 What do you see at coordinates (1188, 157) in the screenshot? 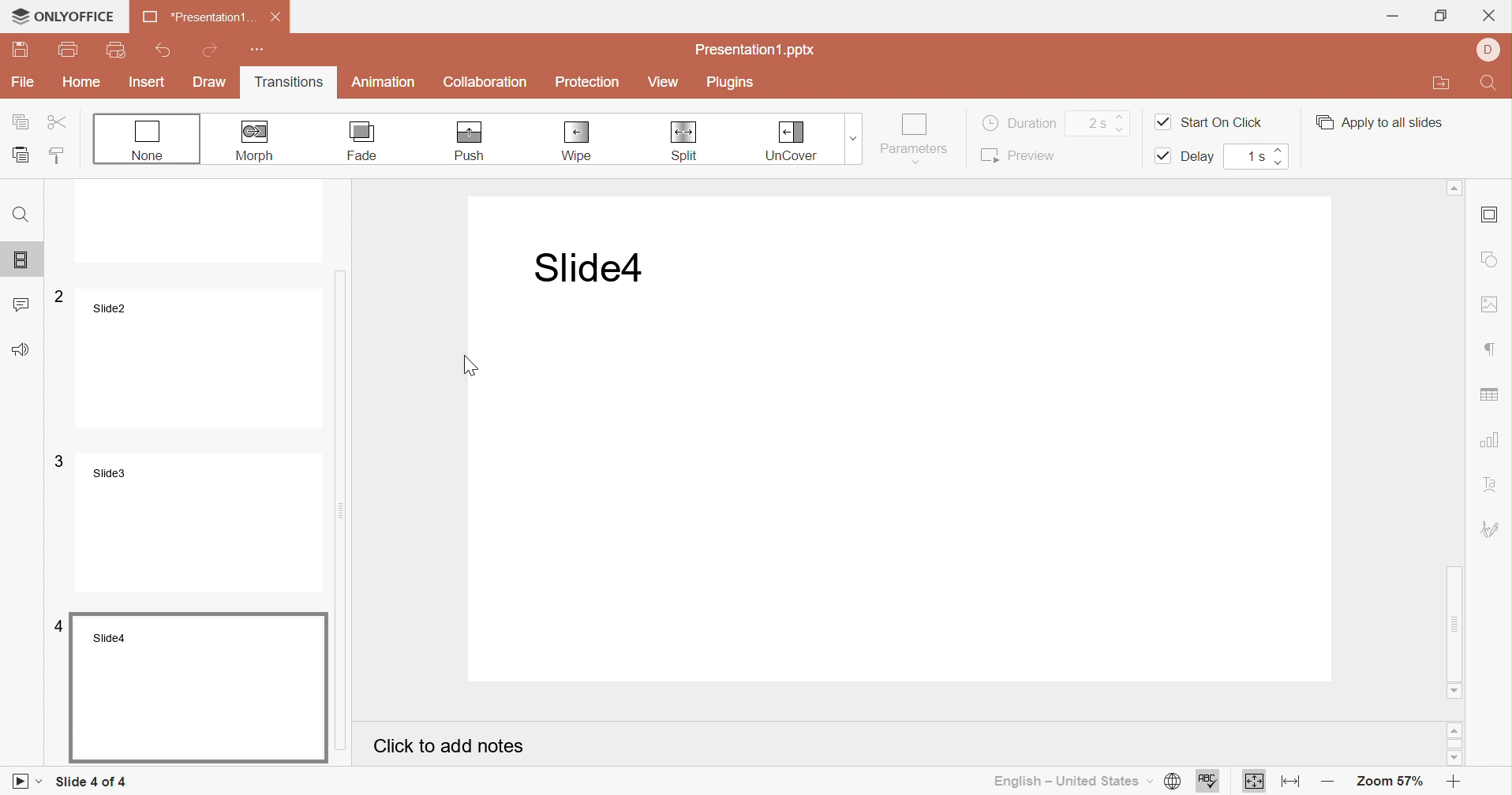
I see `Delay` at bounding box center [1188, 157].